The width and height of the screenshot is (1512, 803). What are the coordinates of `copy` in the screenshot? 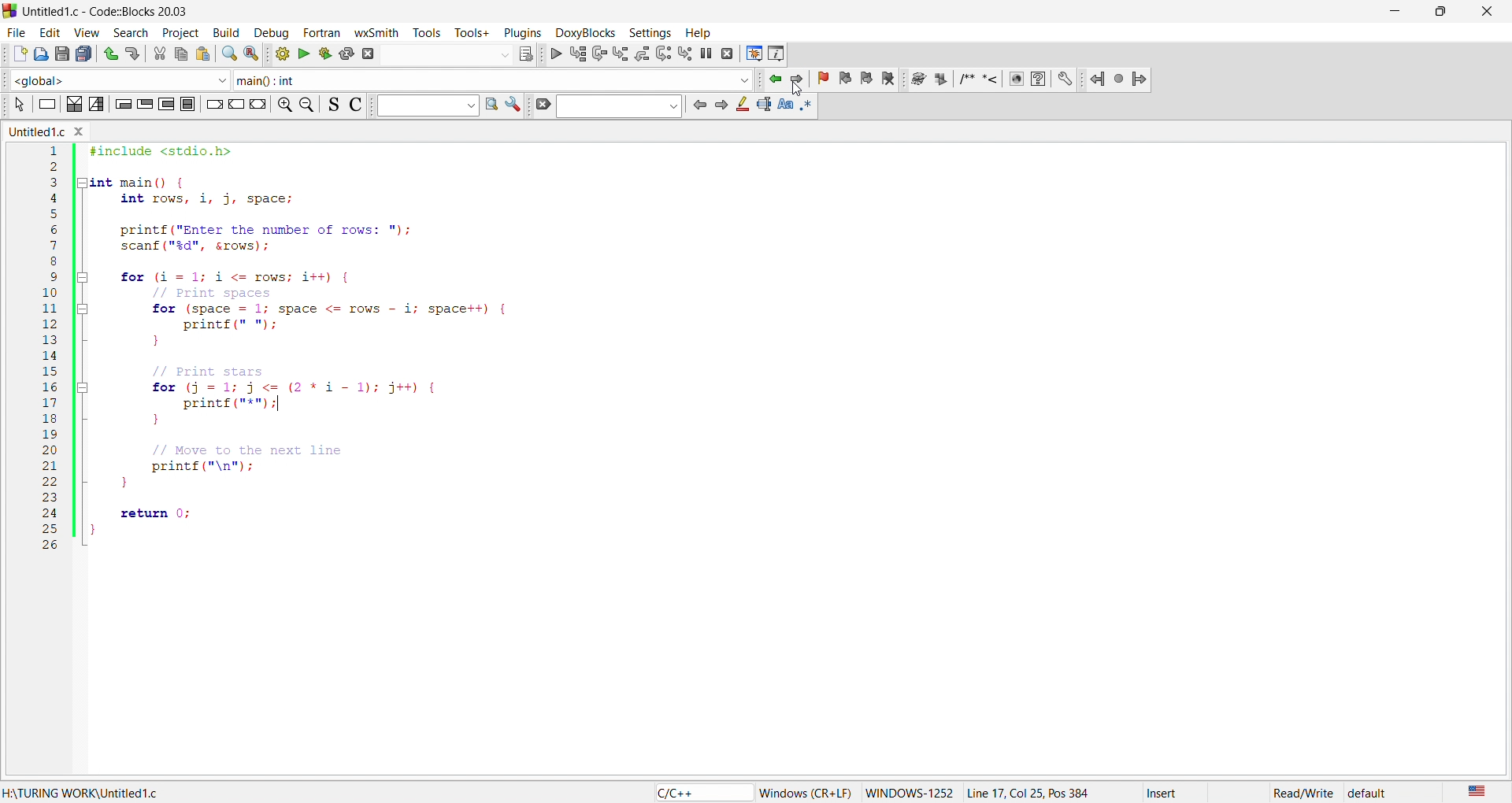 It's located at (180, 55).